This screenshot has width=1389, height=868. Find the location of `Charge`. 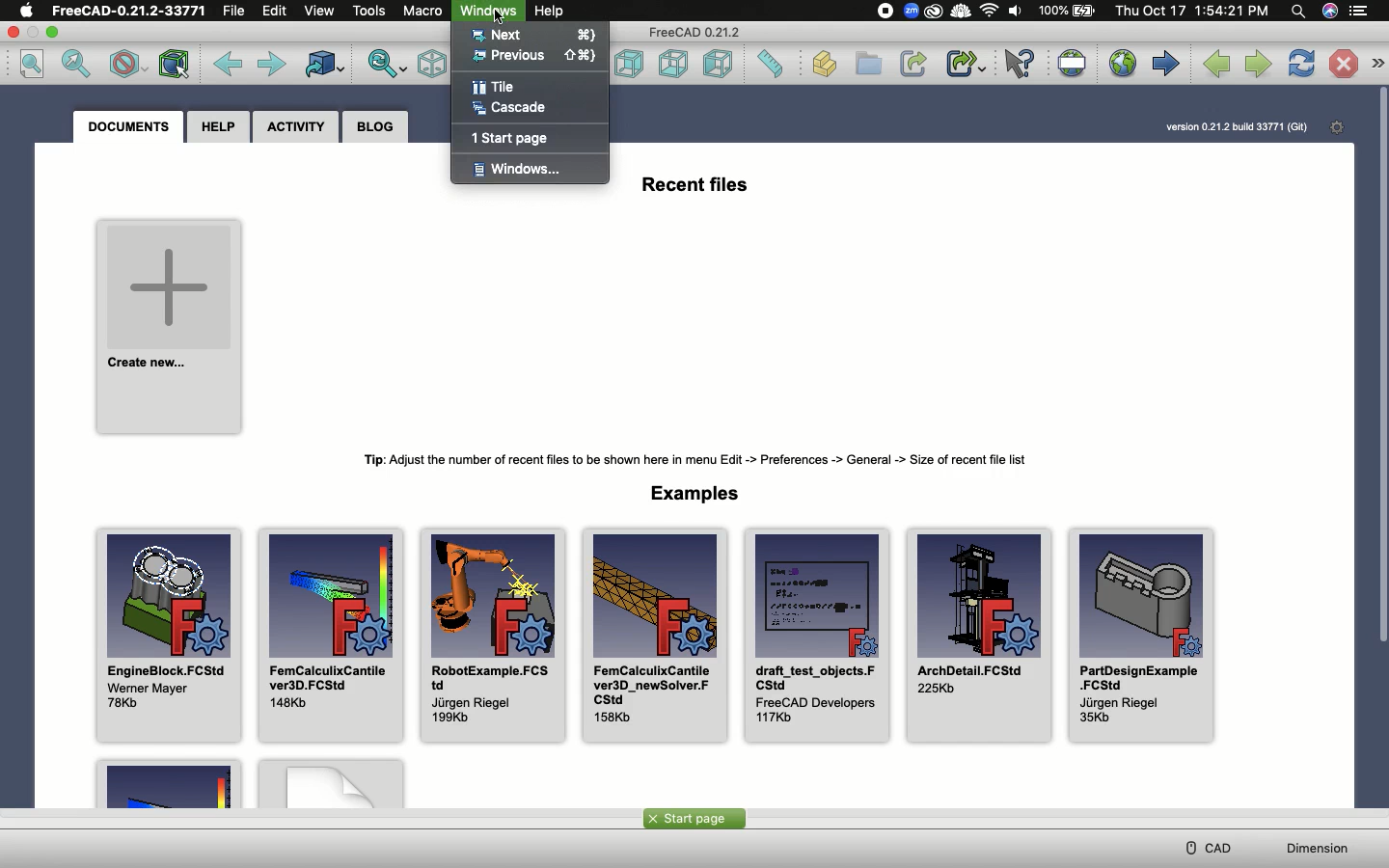

Charge is located at coordinates (1067, 10).